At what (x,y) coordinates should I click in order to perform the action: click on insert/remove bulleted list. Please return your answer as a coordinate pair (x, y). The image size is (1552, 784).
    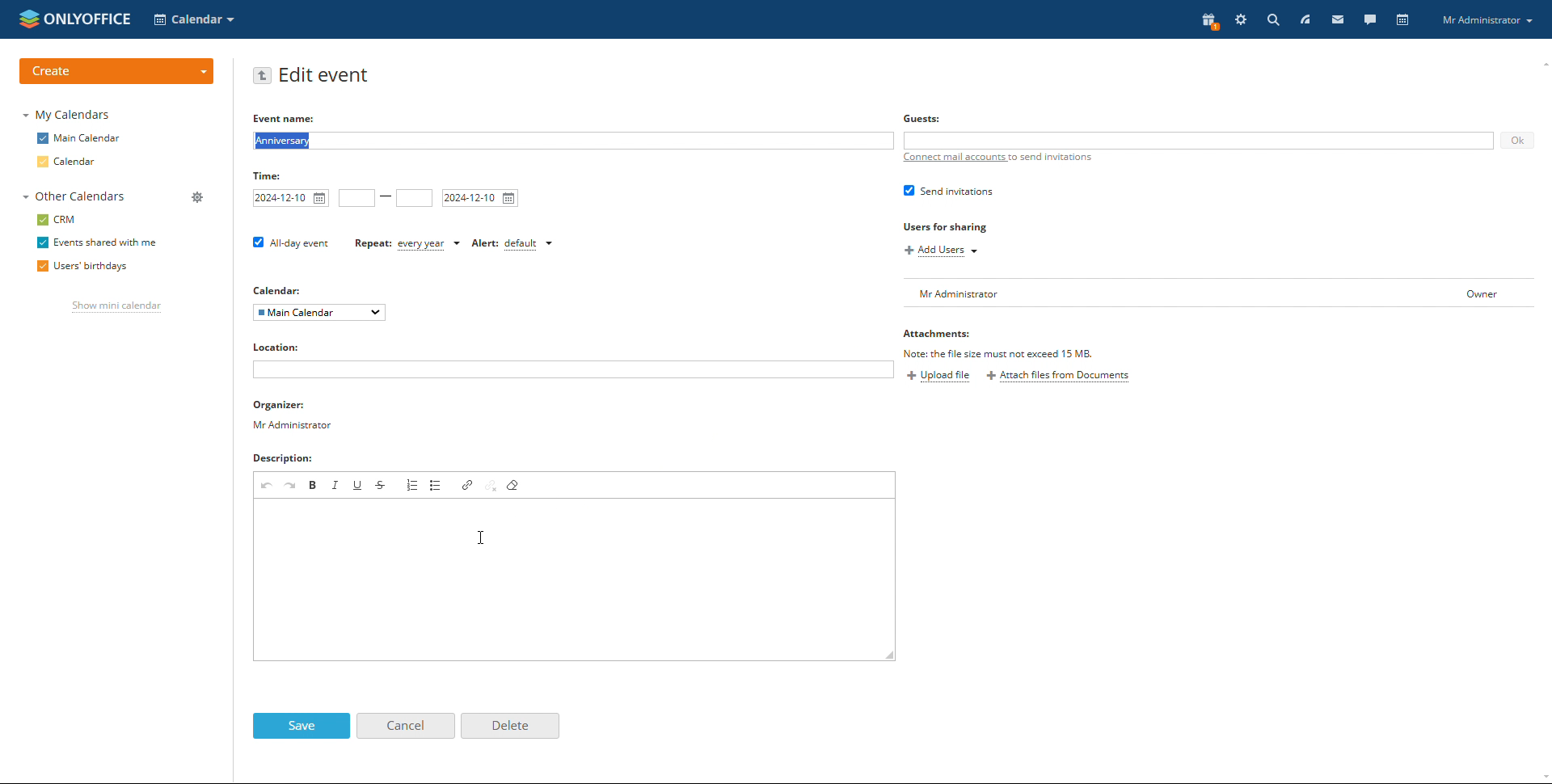
    Looking at the image, I should click on (436, 484).